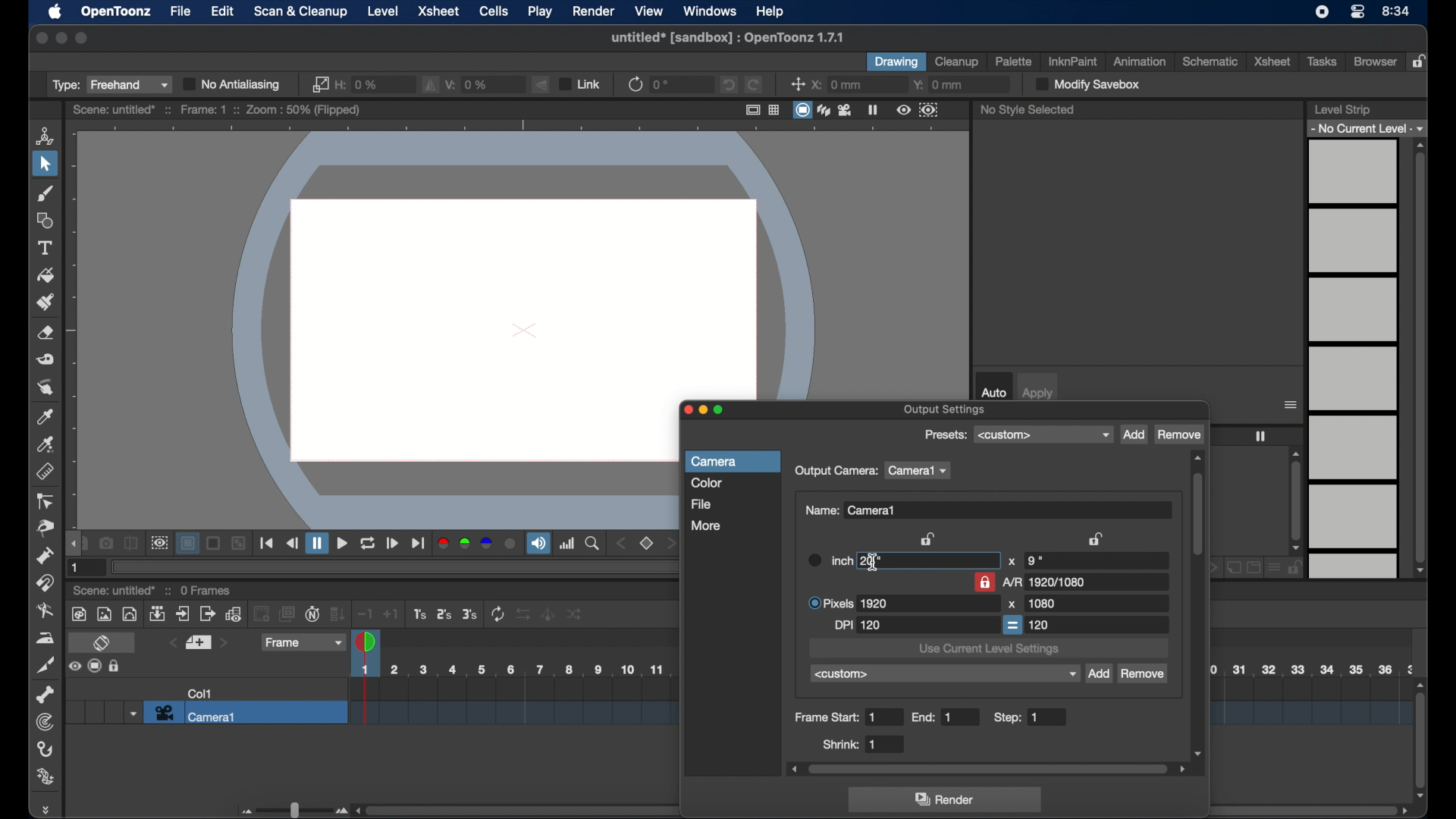 This screenshot has height=819, width=1456. Describe the element at coordinates (1043, 435) in the screenshot. I see `presets` at that location.